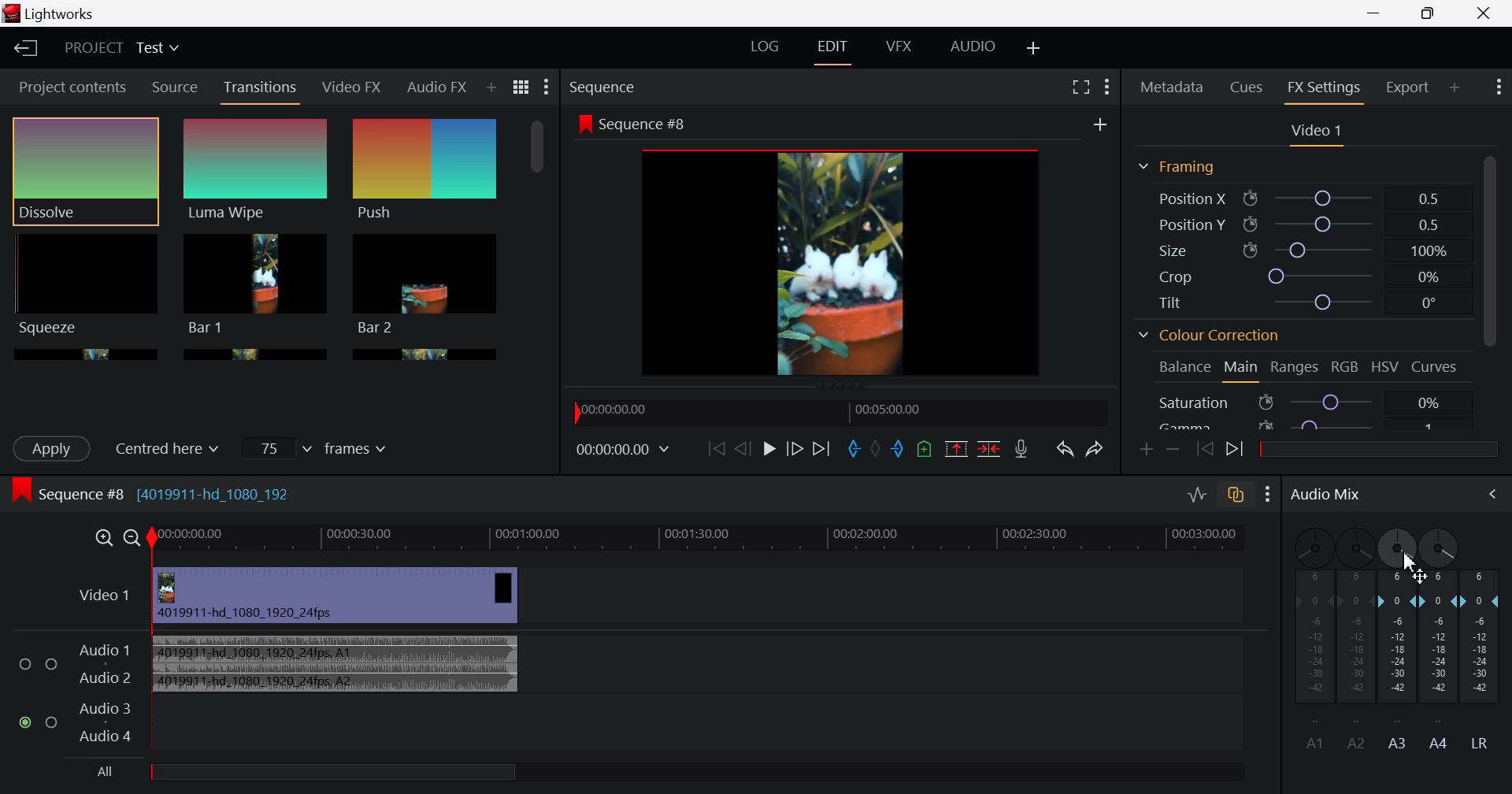  Describe the element at coordinates (114, 538) in the screenshot. I see `Timeline Zoom In/Out` at that location.